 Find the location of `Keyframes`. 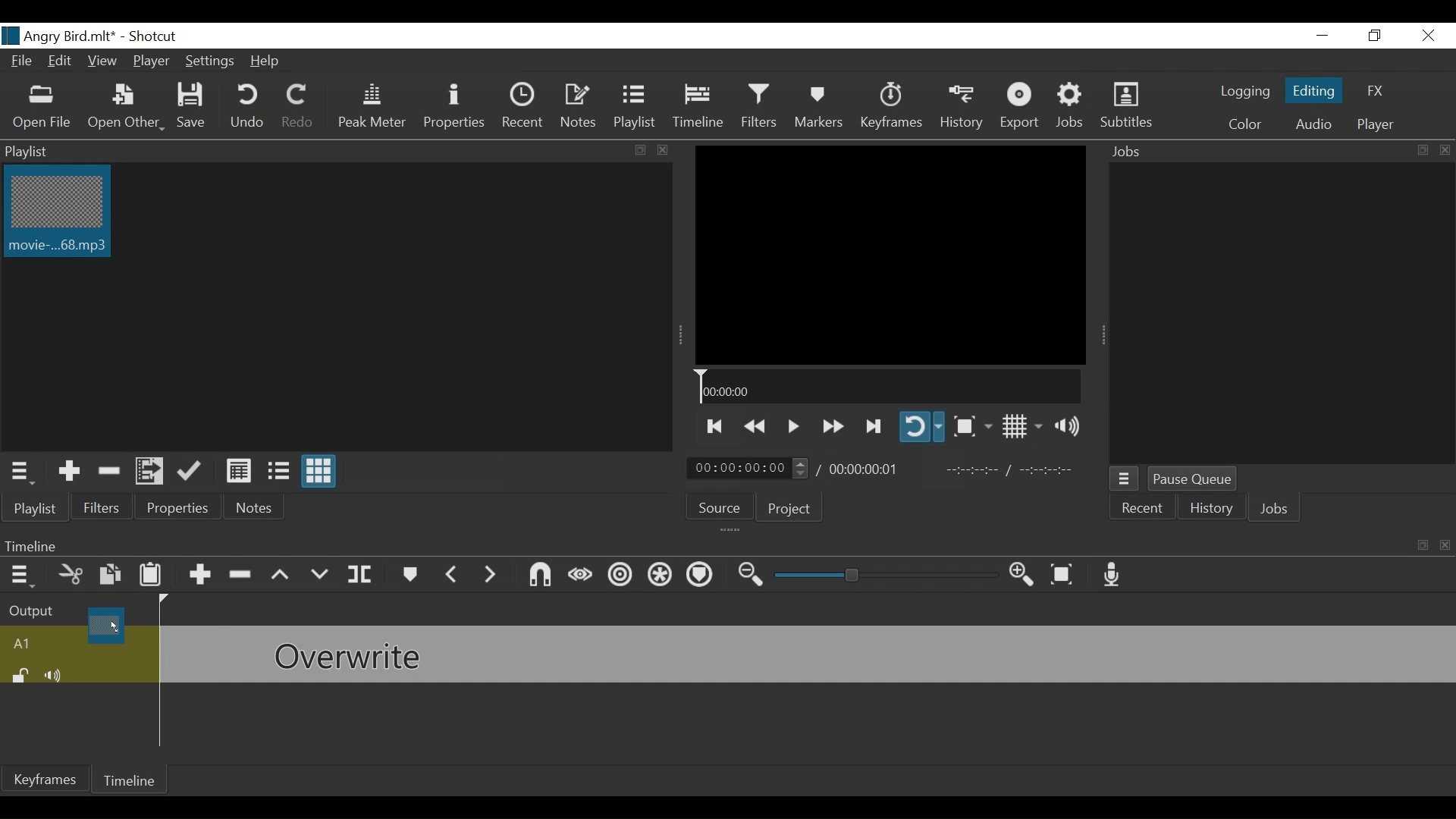

Keyframes is located at coordinates (46, 779).